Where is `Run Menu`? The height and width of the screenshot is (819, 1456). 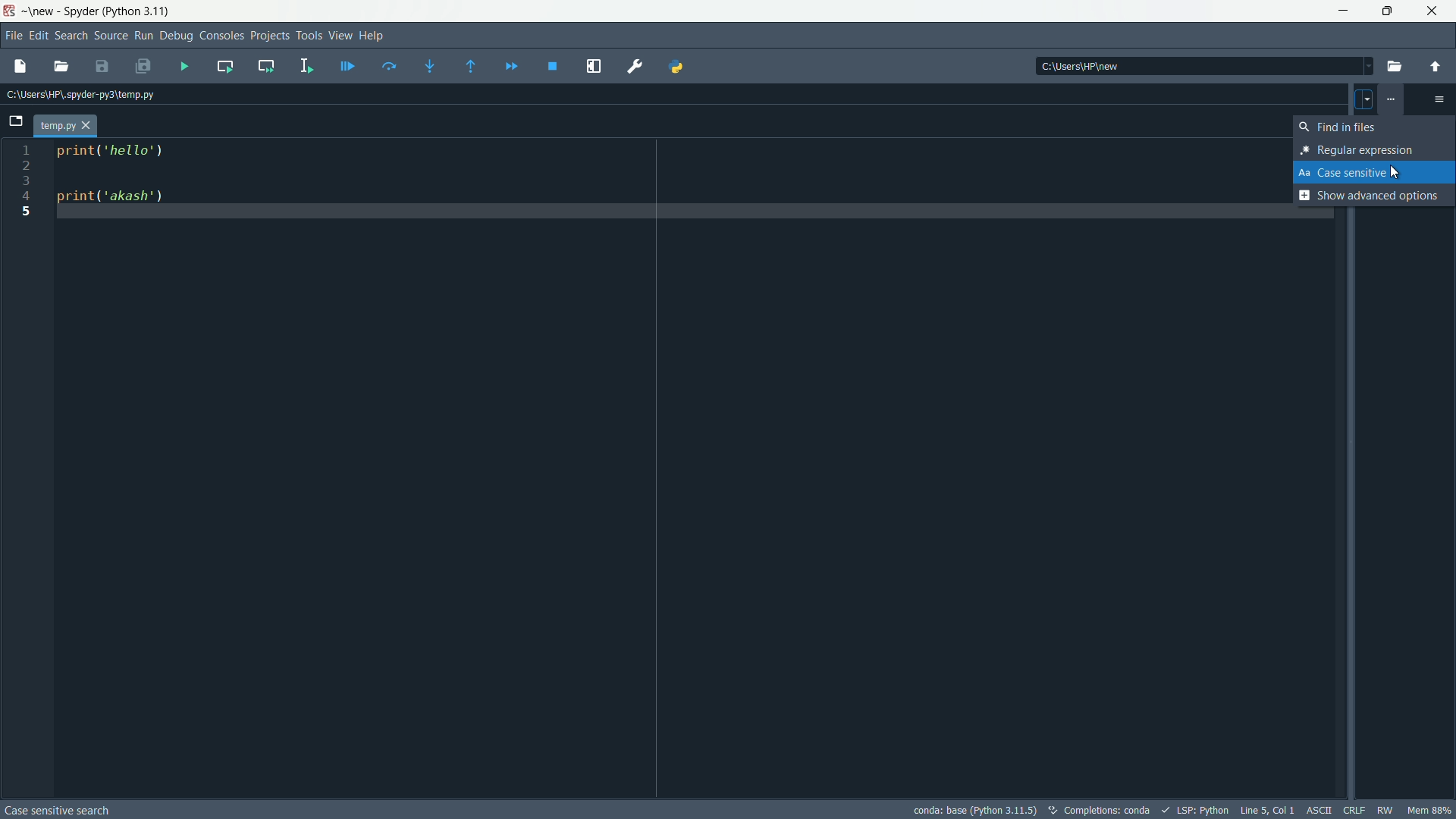
Run Menu is located at coordinates (145, 35).